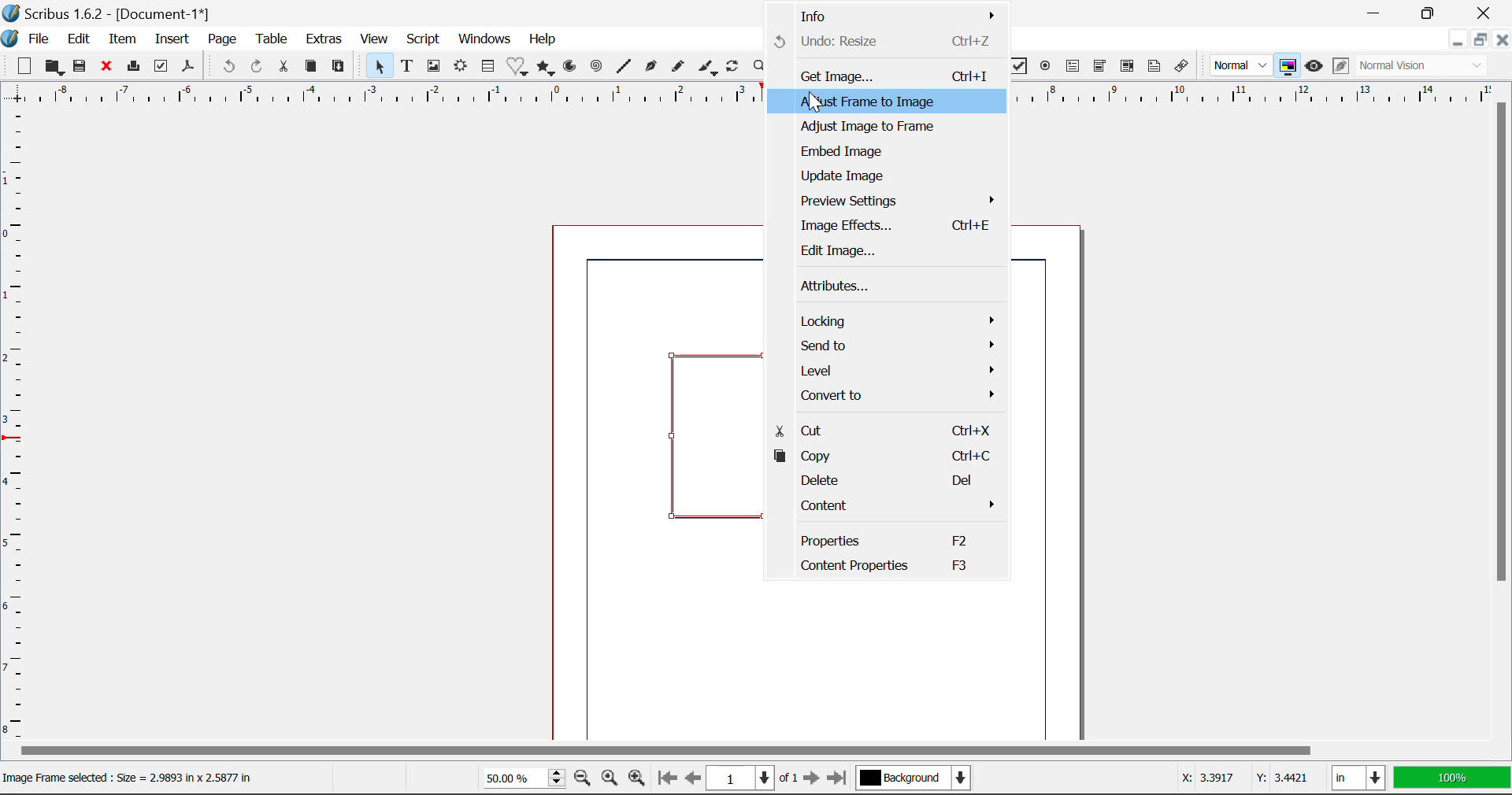 The image size is (1512, 795). Describe the element at coordinates (702, 432) in the screenshot. I see `Image Frame Selected` at that location.